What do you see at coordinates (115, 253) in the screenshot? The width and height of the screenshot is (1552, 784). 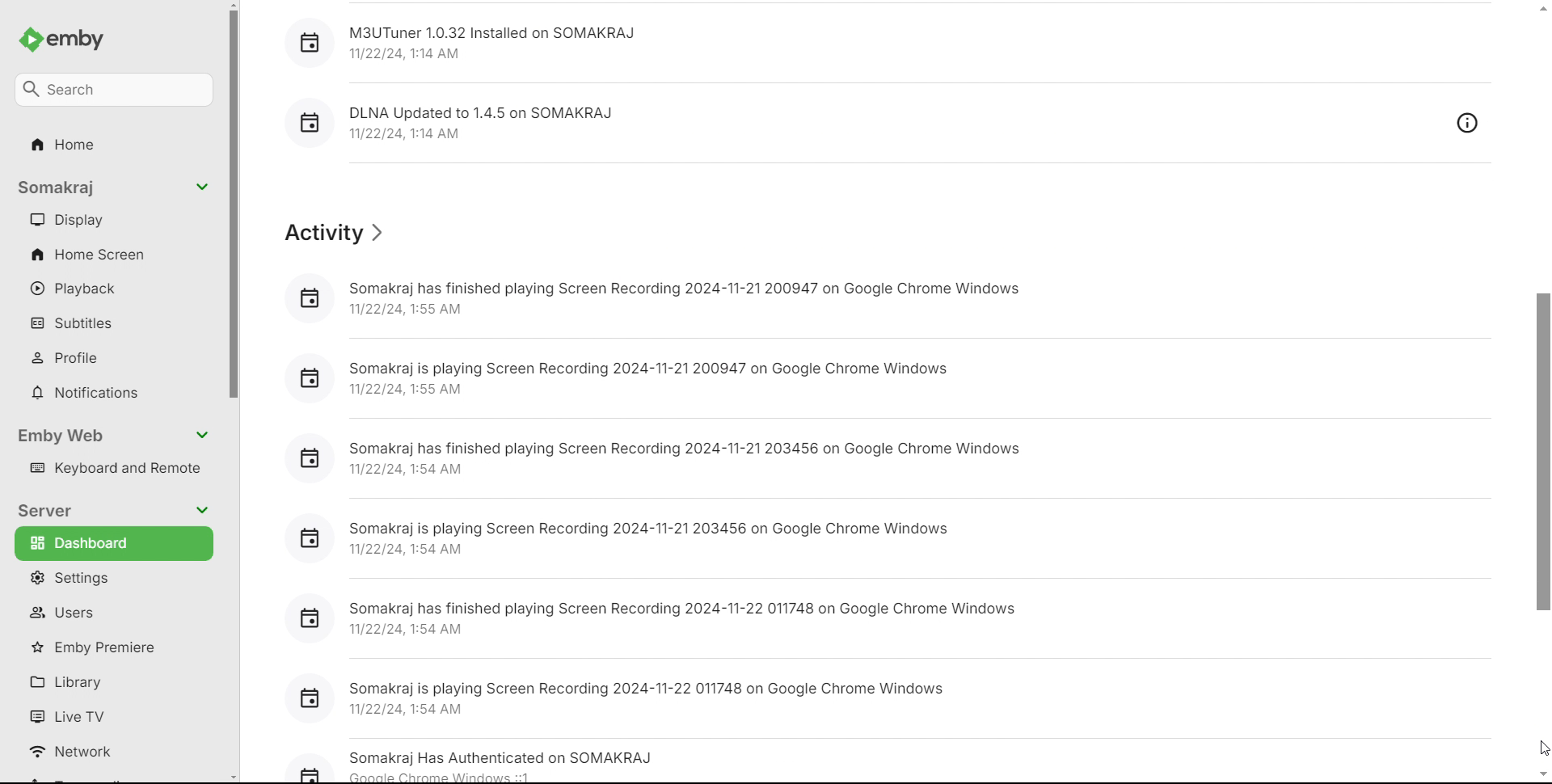 I see `home screen` at bounding box center [115, 253].